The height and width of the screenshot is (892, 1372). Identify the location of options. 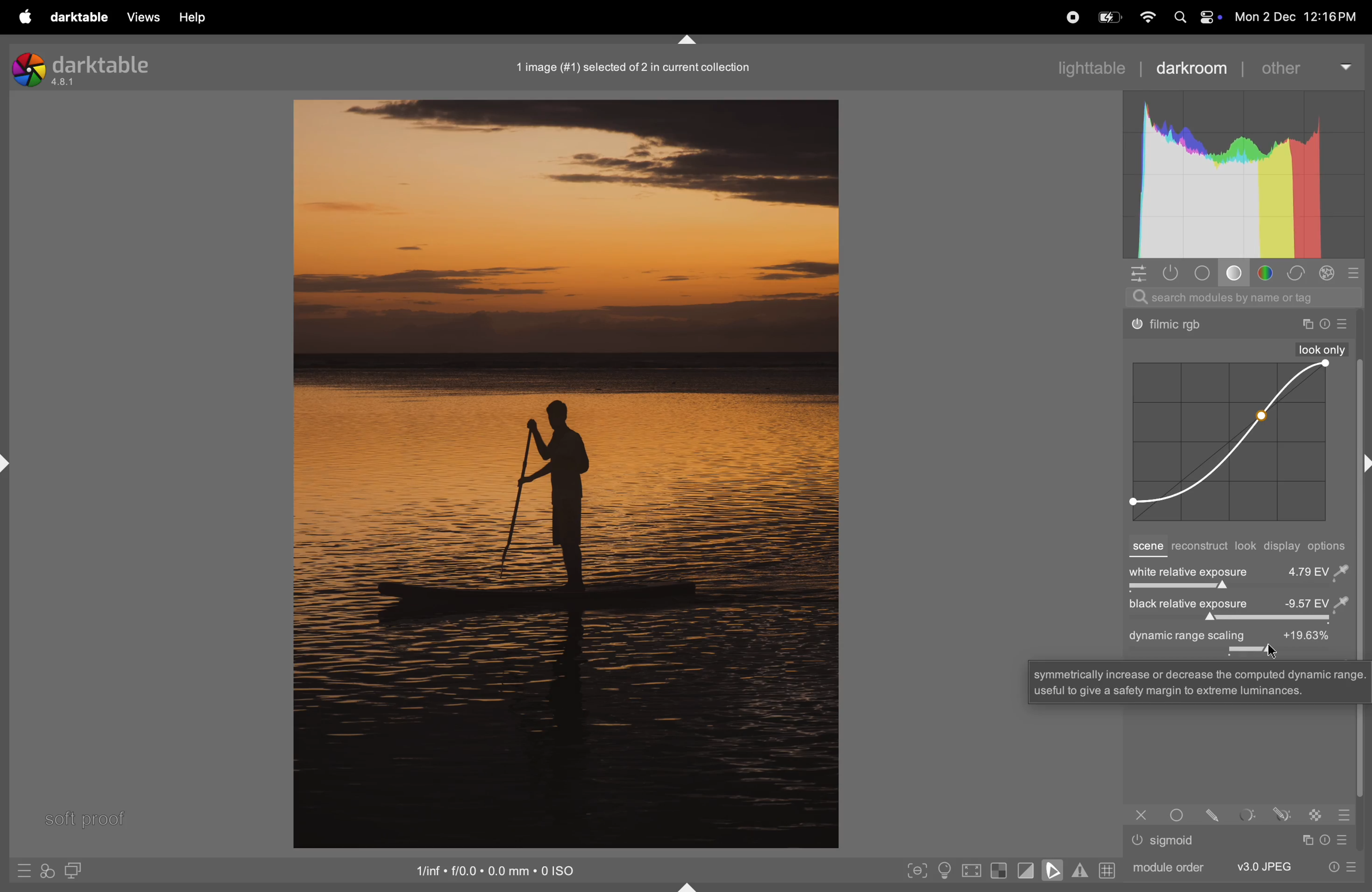
(1330, 546).